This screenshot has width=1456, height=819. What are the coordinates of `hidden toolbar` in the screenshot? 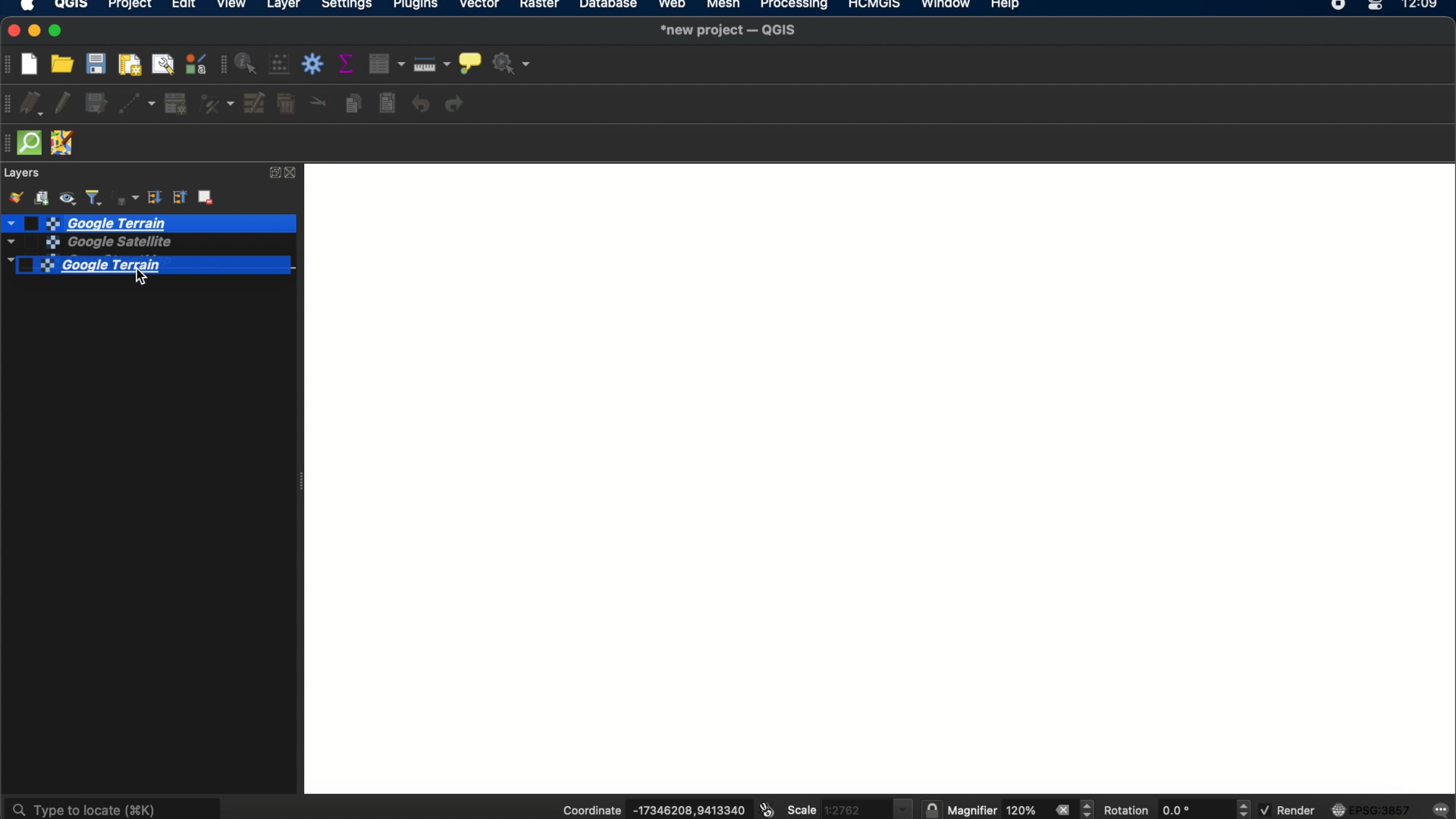 It's located at (9, 143).